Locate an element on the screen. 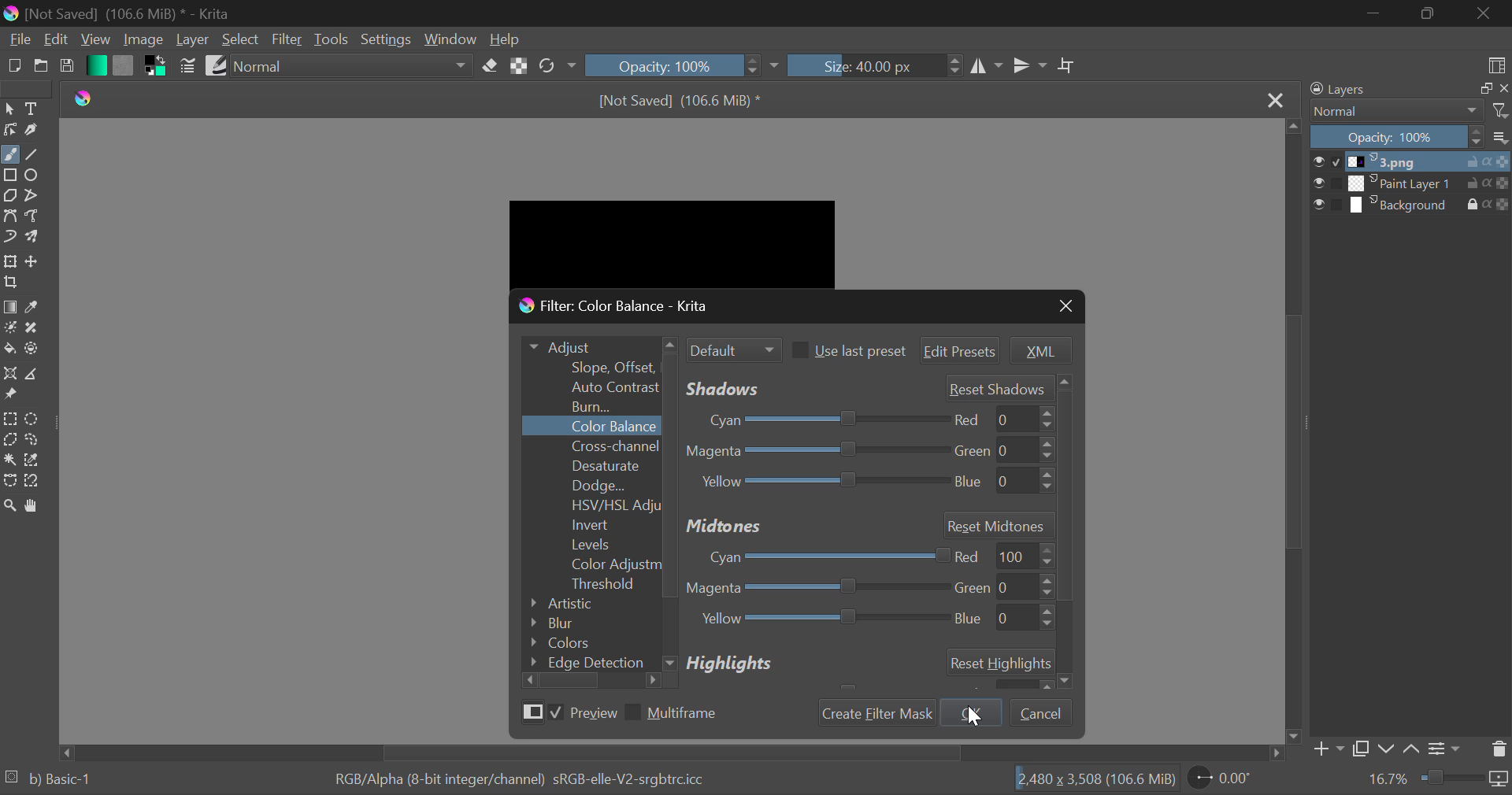  Eyedropper is located at coordinates (36, 308).